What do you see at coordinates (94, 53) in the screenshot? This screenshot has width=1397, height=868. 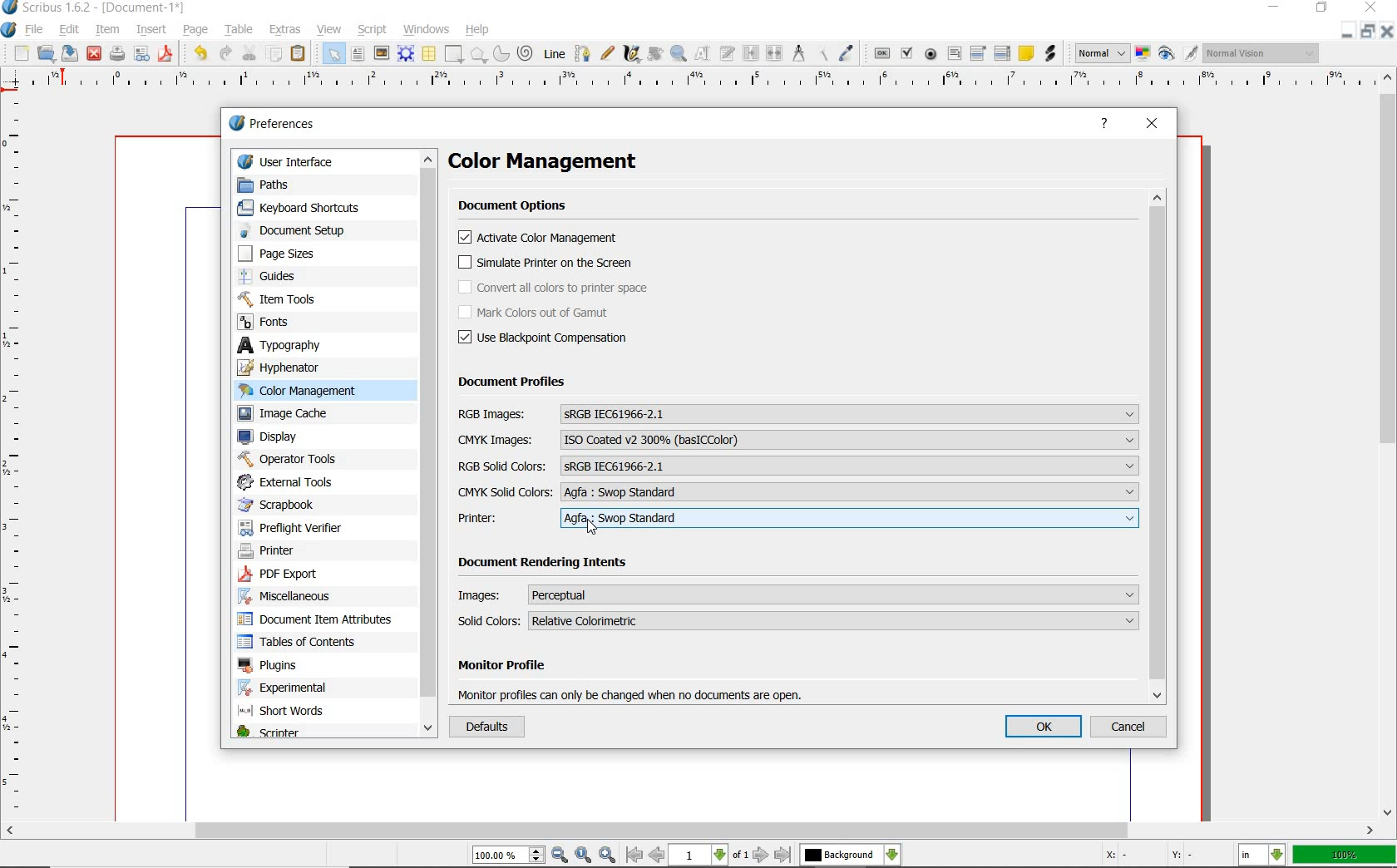 I see `close` at bounding box center [94, 53].